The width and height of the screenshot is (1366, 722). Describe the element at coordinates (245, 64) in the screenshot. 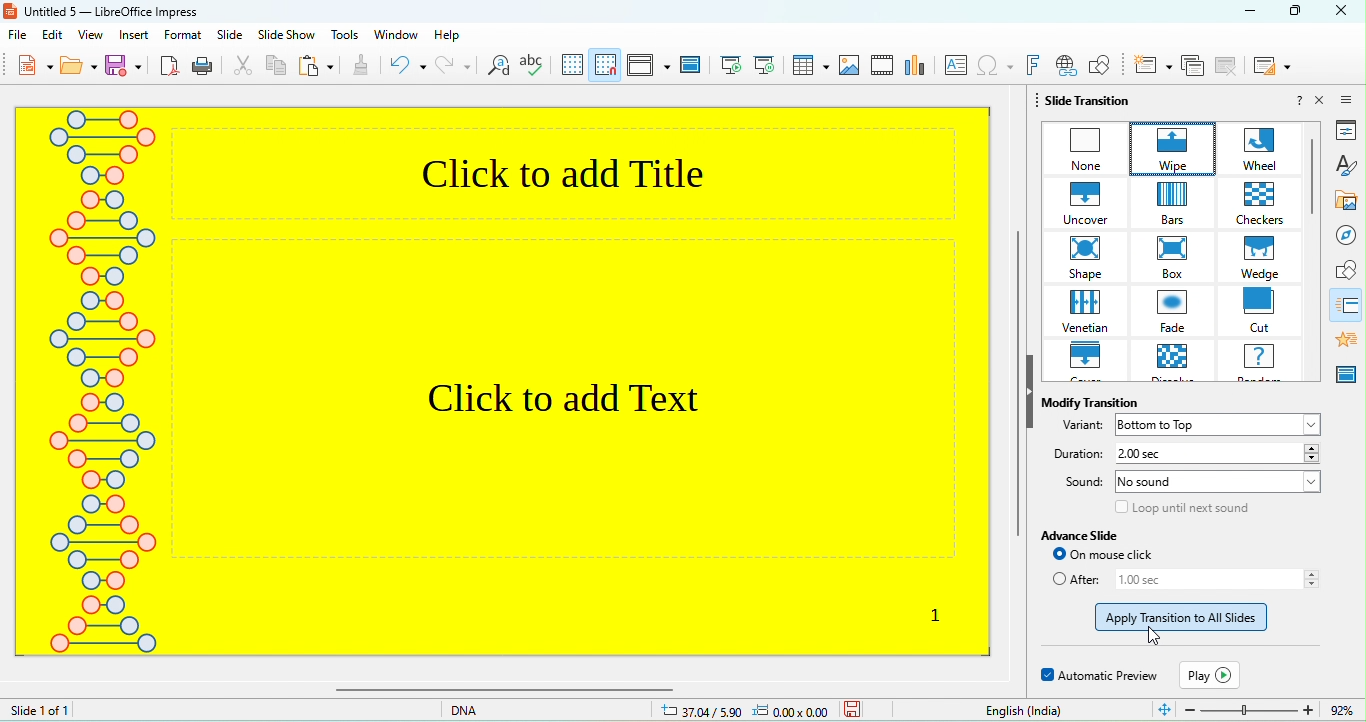

I see `cut` at that location.